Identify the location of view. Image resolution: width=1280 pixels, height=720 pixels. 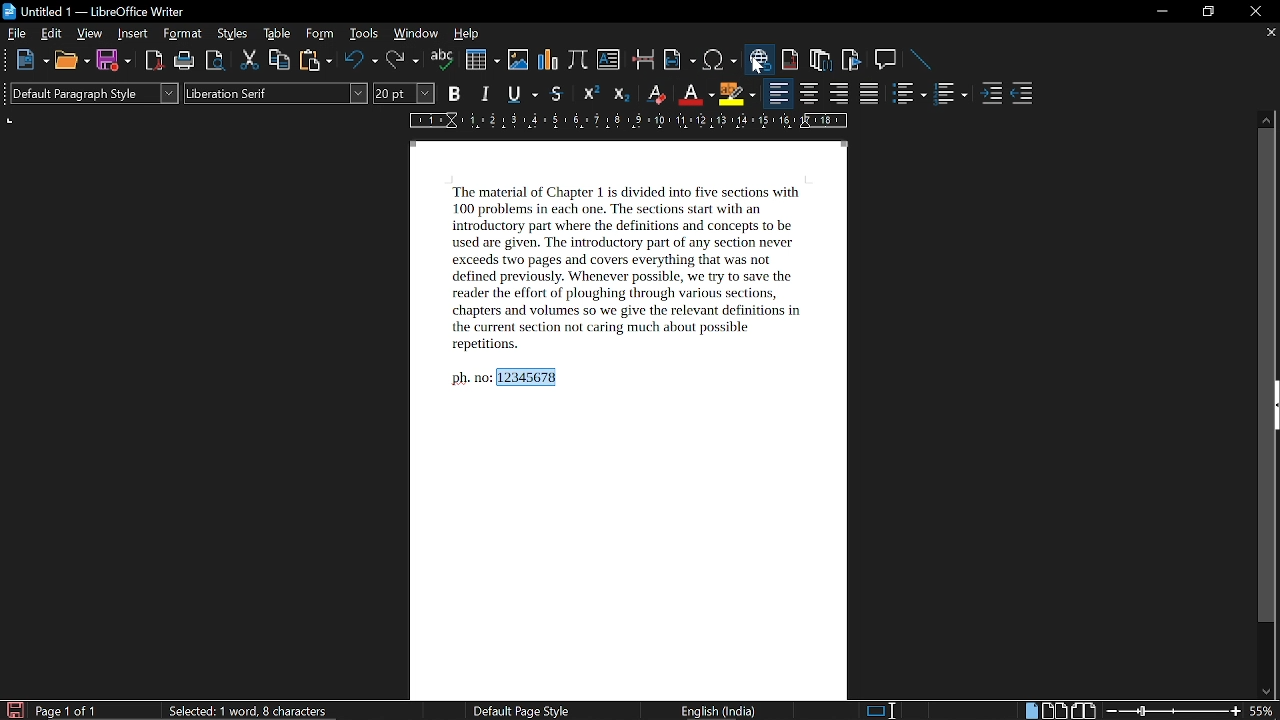
(90, 35).